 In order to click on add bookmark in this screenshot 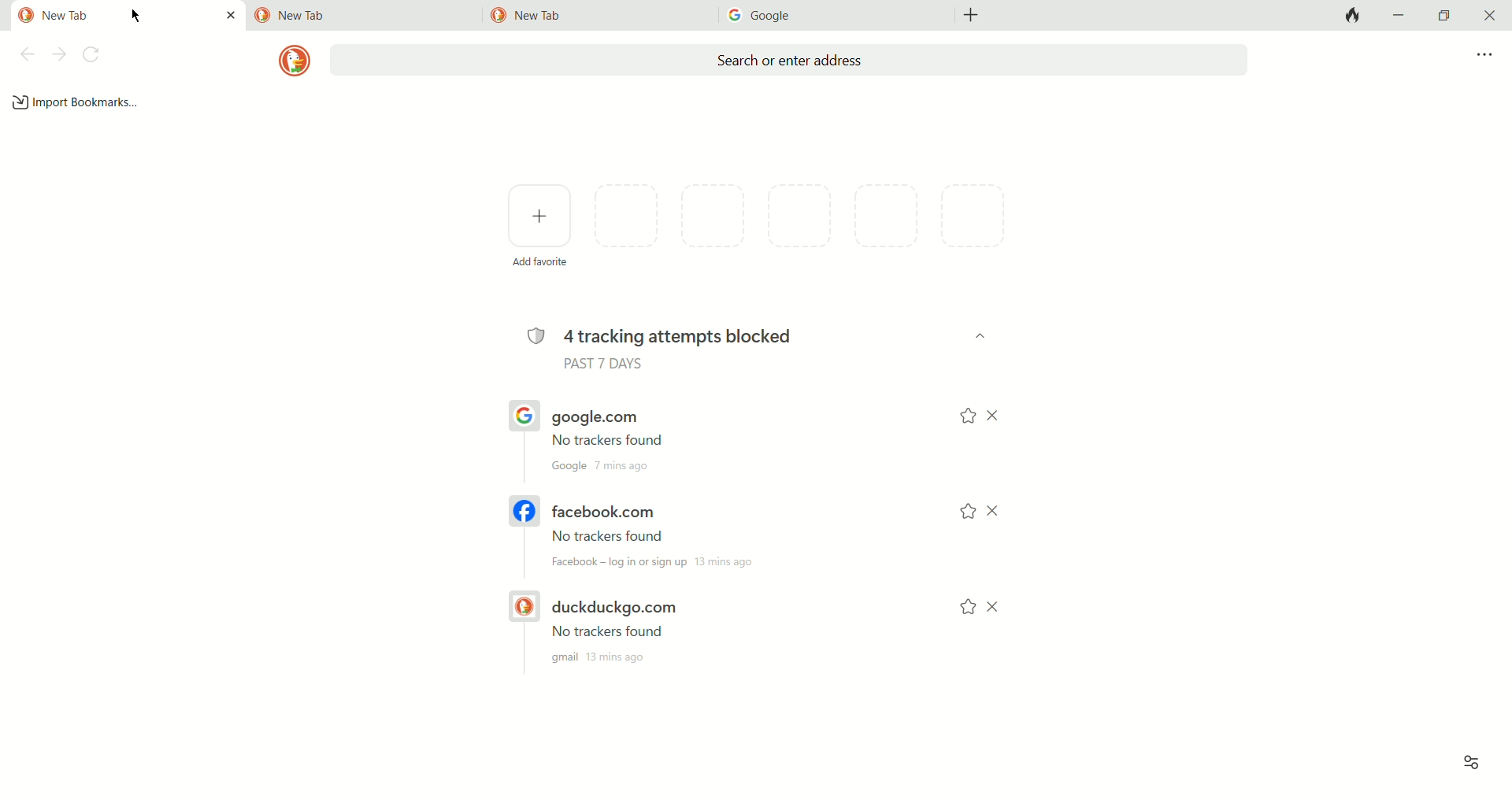, I will do `click(73, 104)`.